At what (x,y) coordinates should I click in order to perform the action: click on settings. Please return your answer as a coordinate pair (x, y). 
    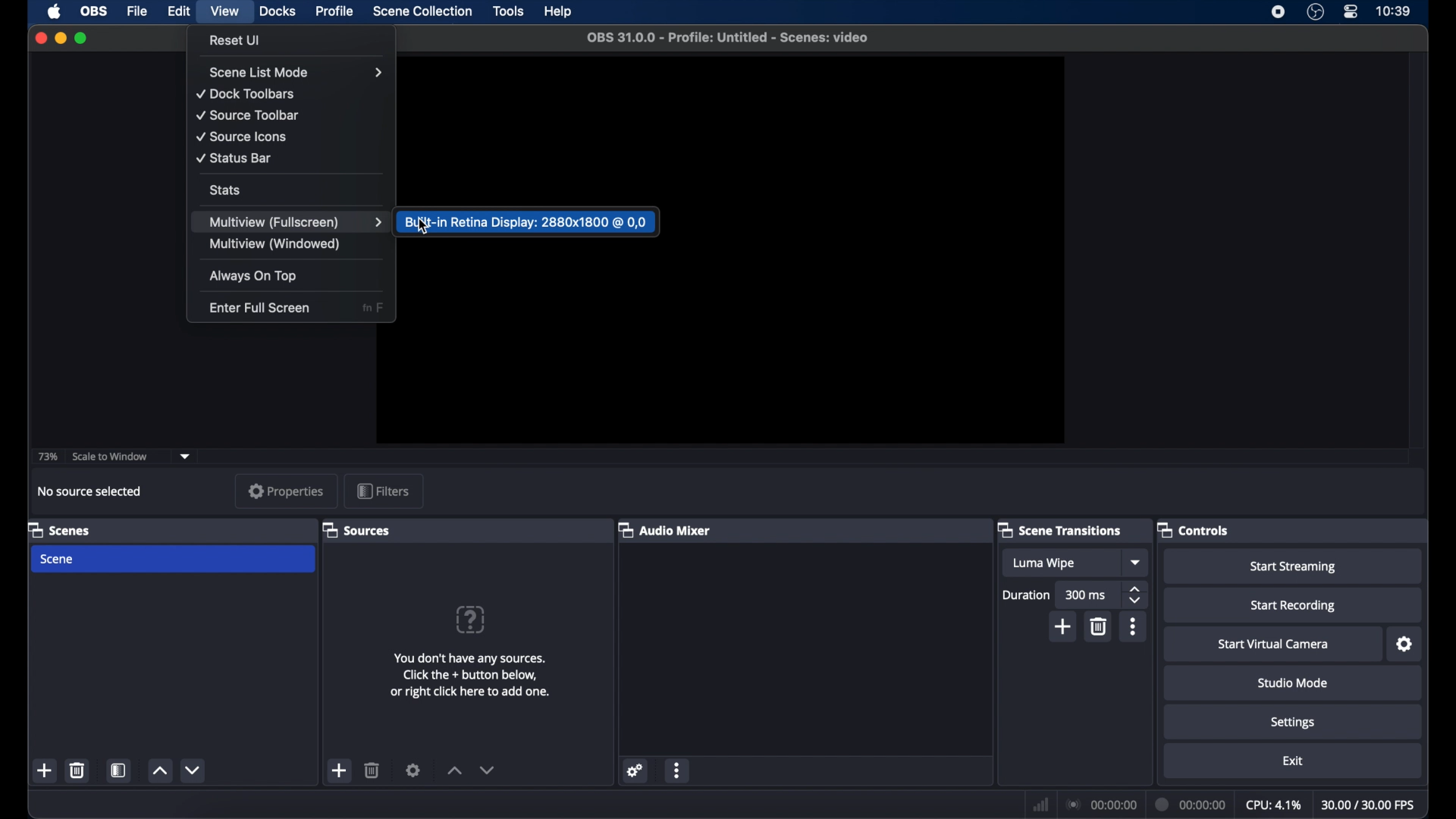
    Looking at the image, I should click on (1295, 721).